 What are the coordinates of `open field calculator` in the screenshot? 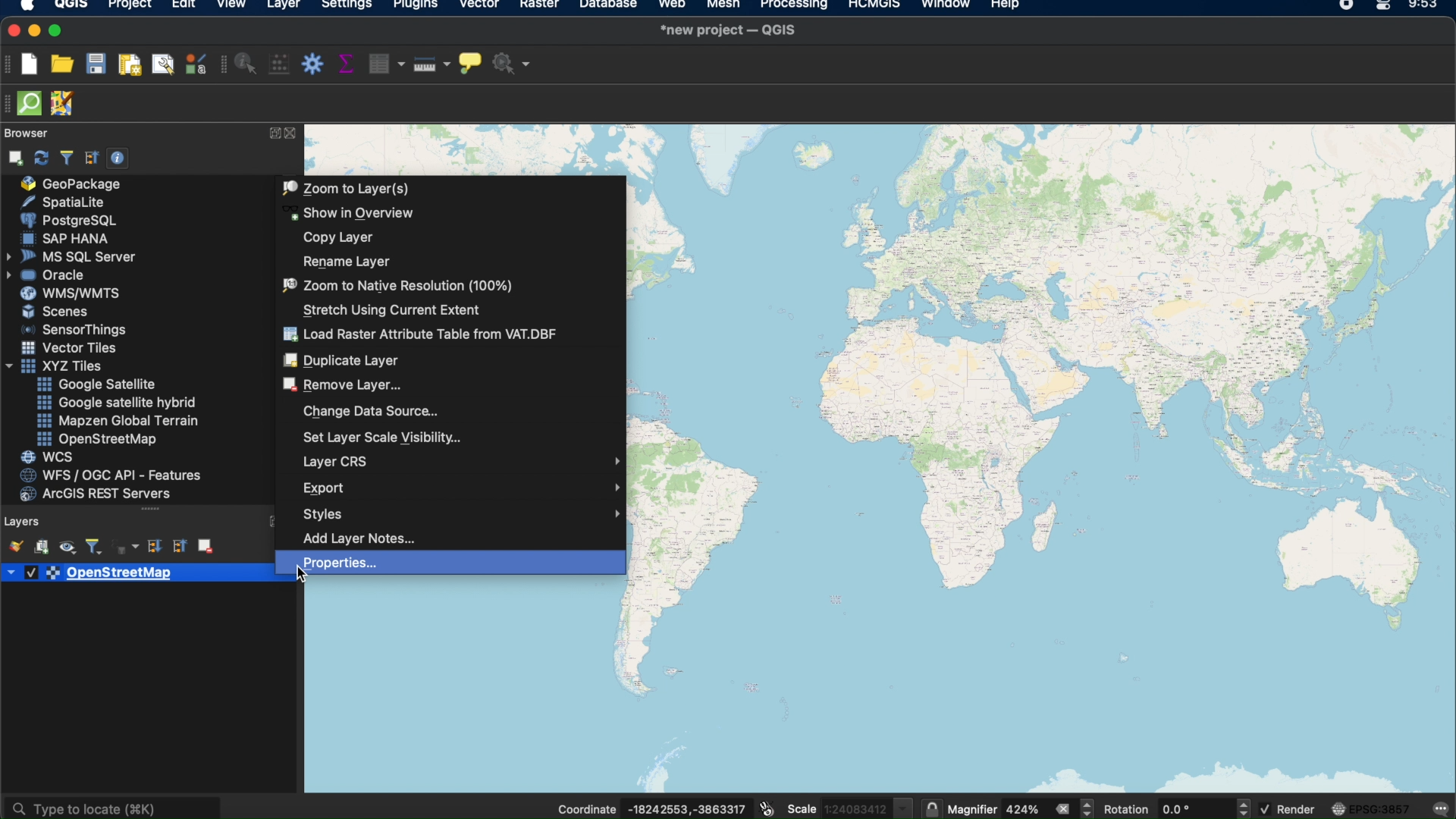 It's located at (280, 64).